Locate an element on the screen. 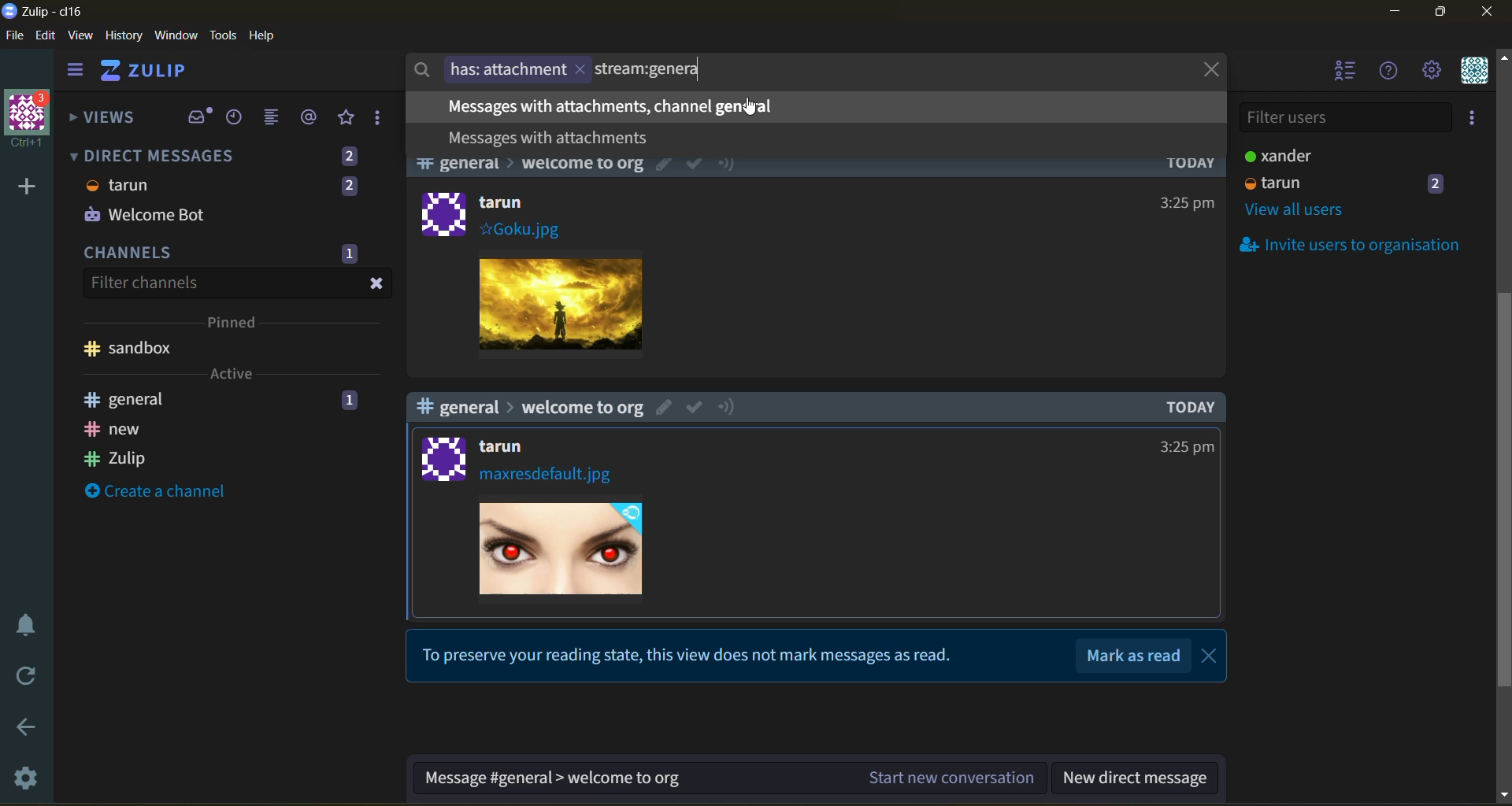 Image resolution: width=1512 pixels, height=806 pixels. tarun is located at coordinates (507, 447).